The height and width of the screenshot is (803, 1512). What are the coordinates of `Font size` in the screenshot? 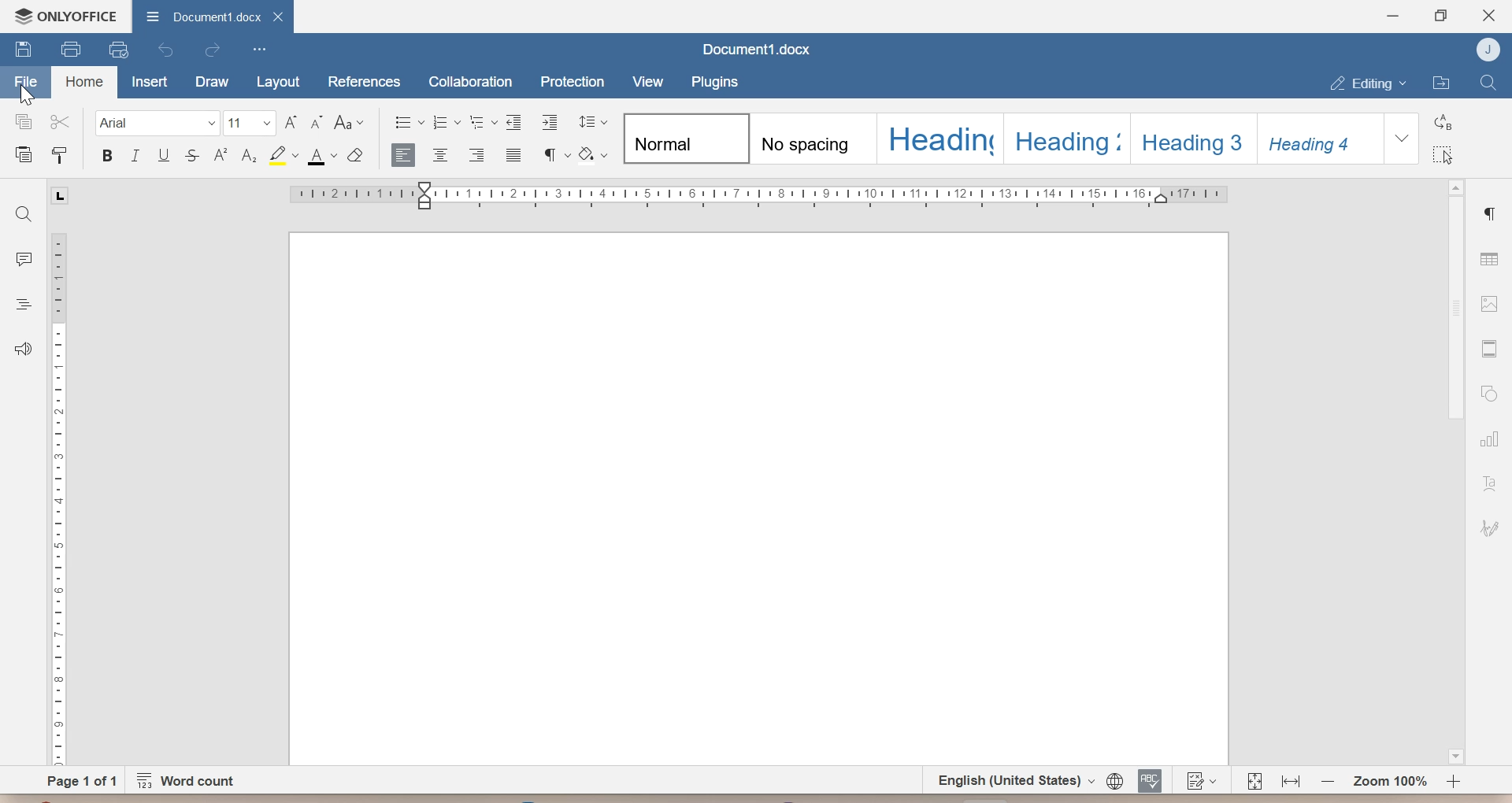 It's located at (250, 125).